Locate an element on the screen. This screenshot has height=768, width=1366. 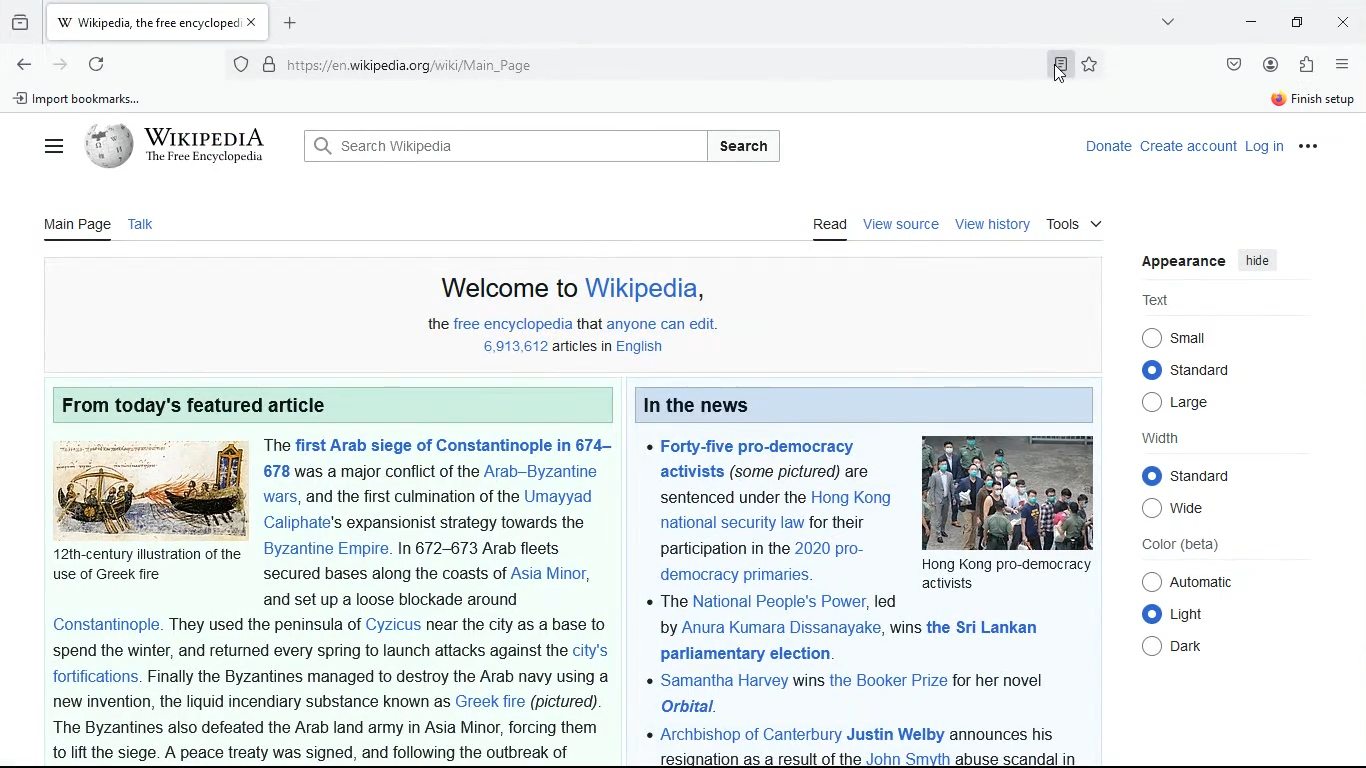
hide is located at coordinates (1262, 261).